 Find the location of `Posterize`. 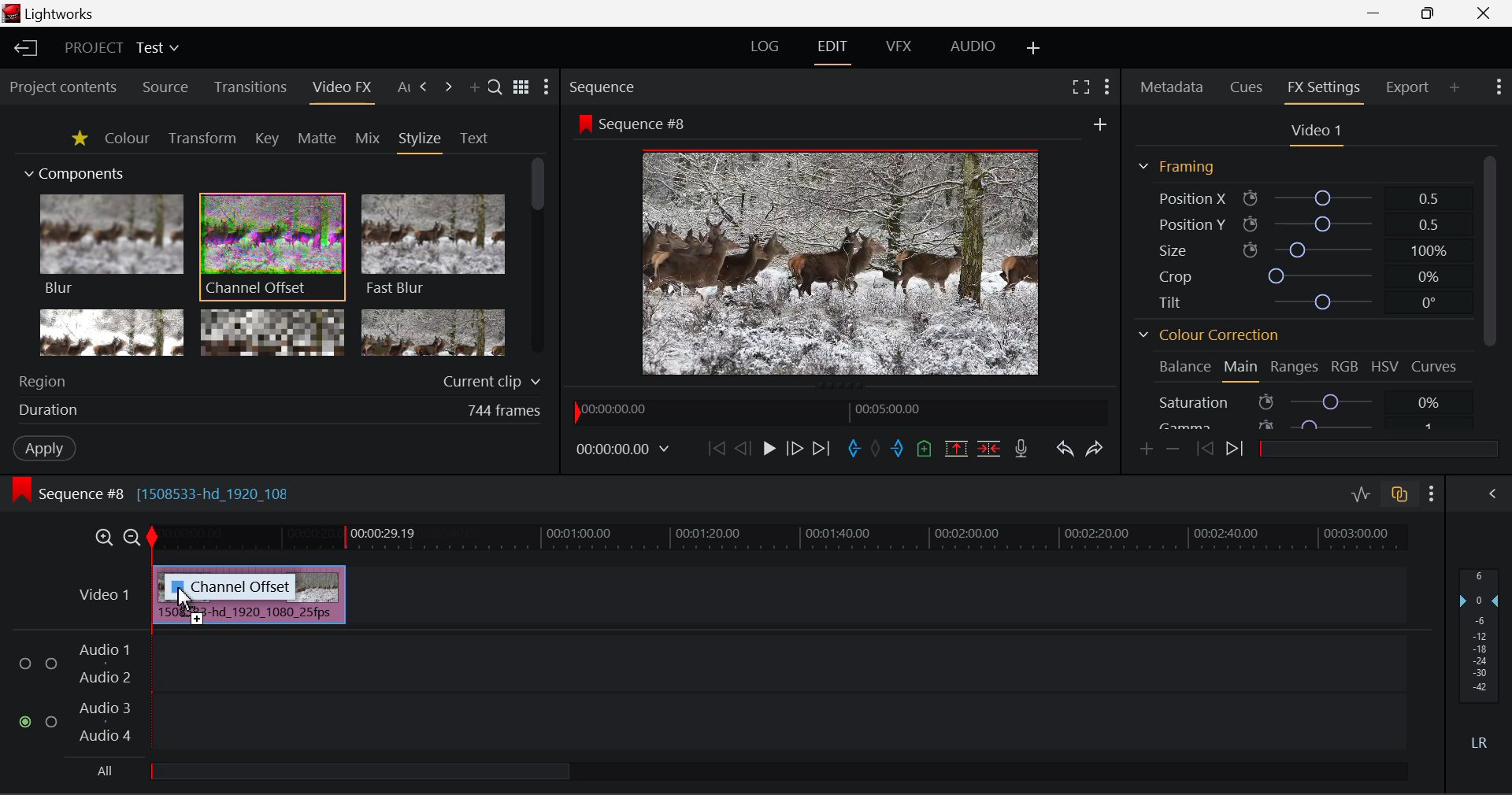

Posterize is located at coordinates (433, 331).